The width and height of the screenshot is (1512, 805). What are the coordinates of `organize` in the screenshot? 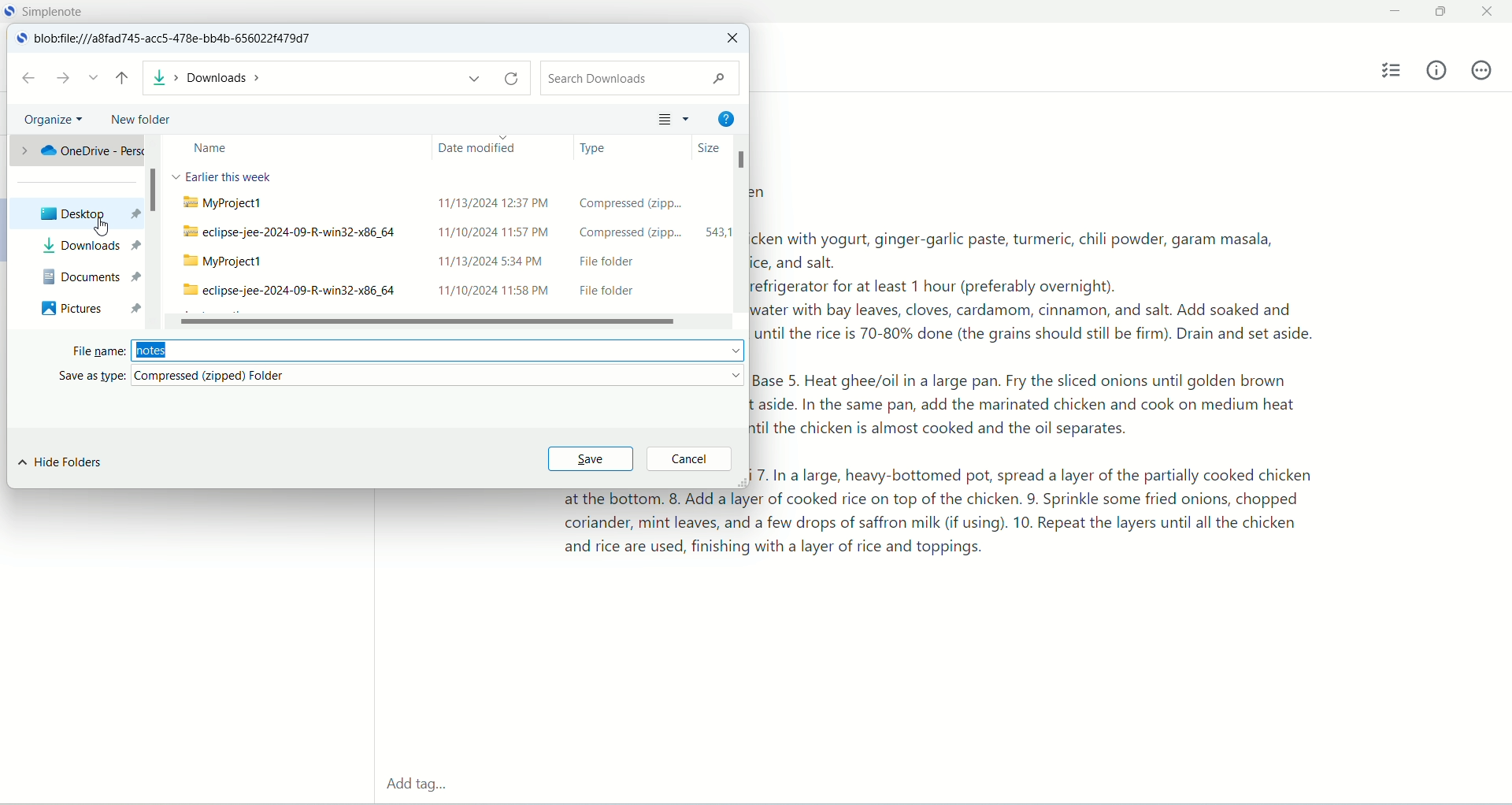 It's located at (56, 121).